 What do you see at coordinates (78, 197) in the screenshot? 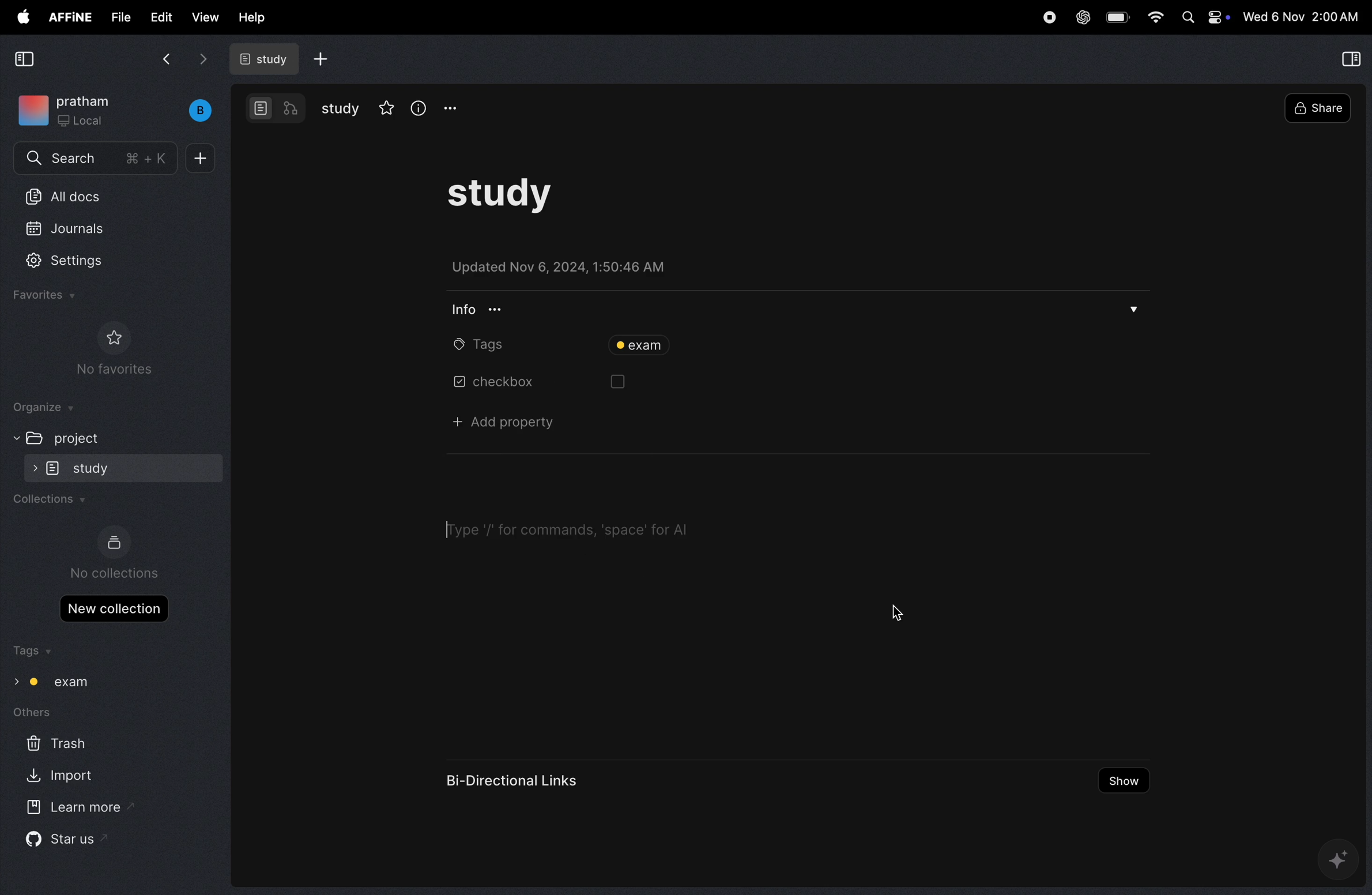
I see `All docs` at bounding box center [78, 197].